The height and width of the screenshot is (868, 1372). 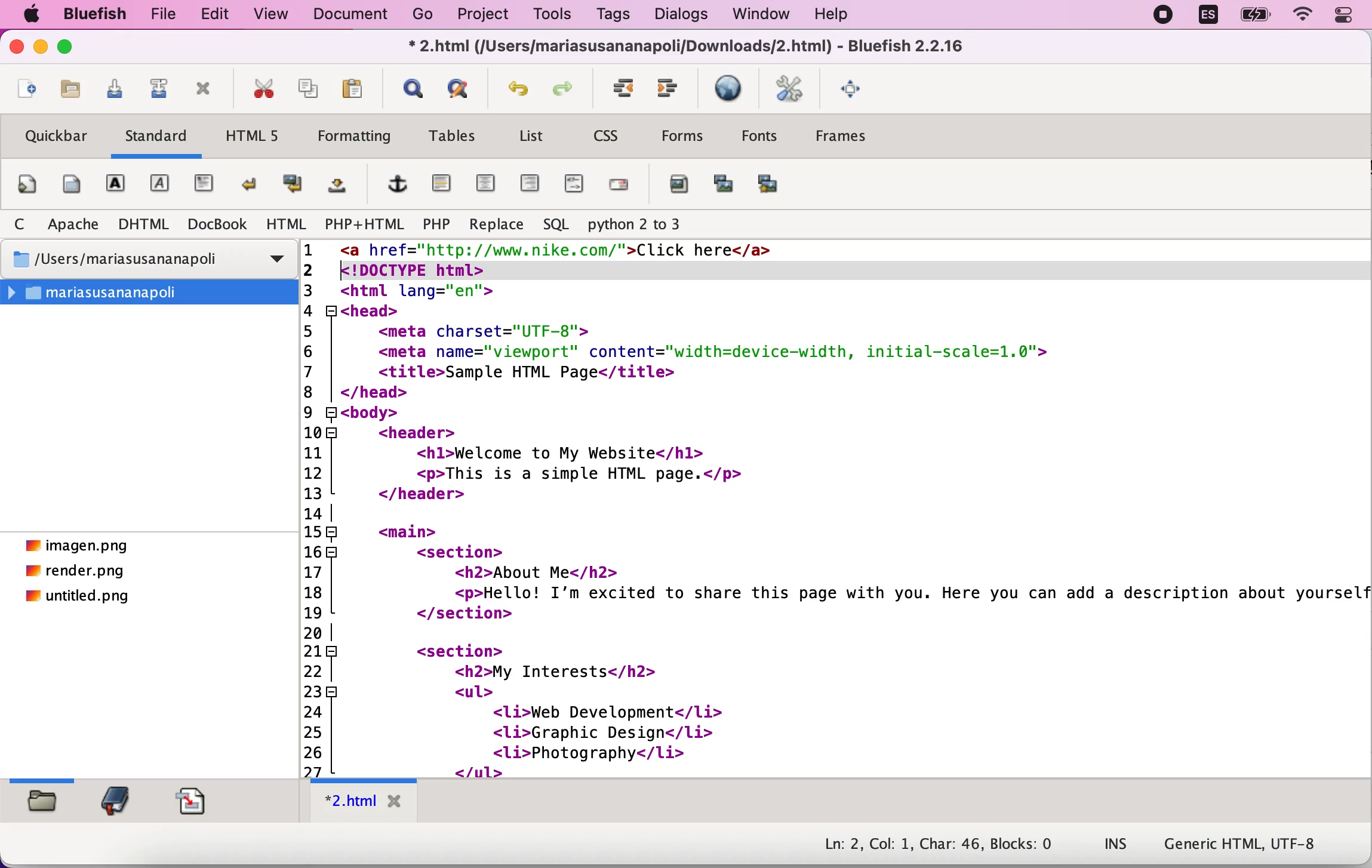 I want to click on email, so click(x=622, y=190).